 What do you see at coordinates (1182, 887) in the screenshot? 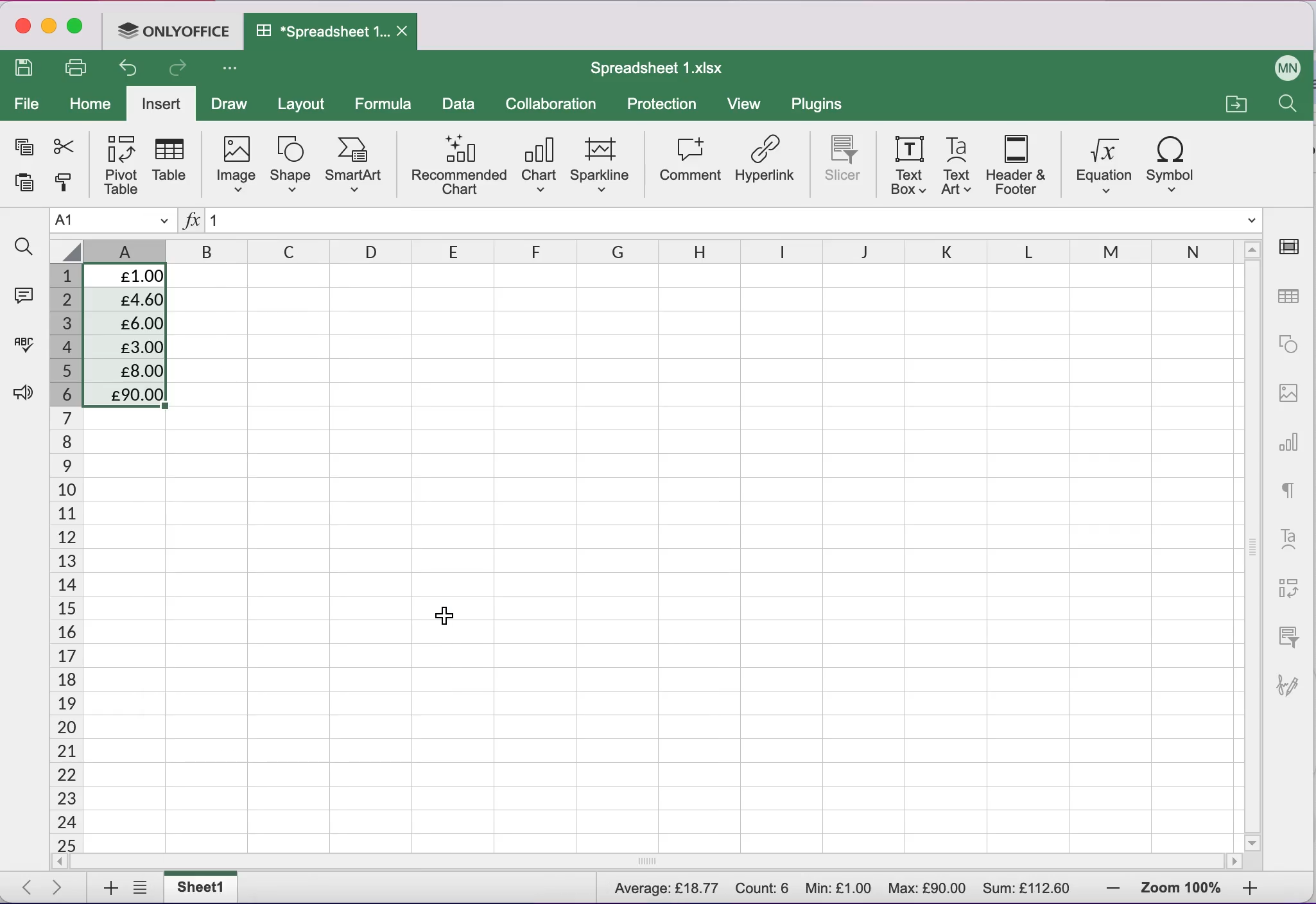
I see `zoom percentage` at bounding box center [1182, 887].